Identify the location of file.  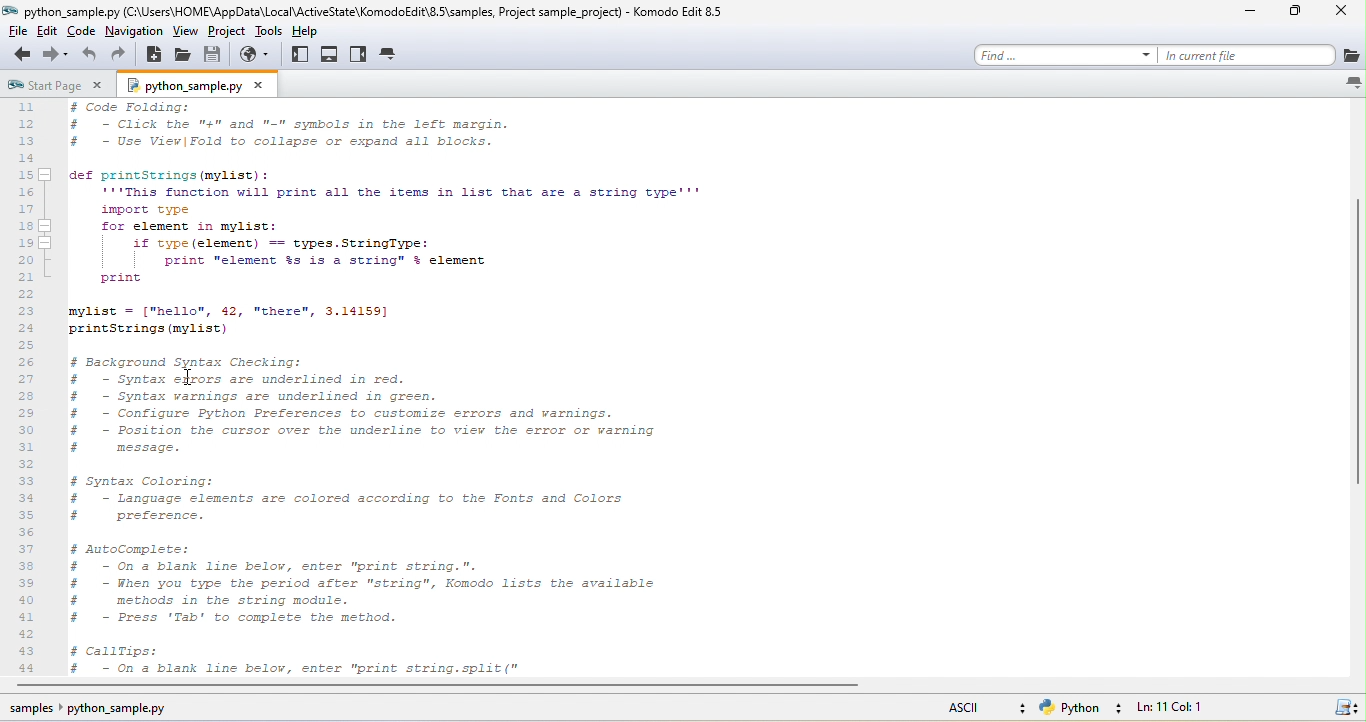
(16, 33).